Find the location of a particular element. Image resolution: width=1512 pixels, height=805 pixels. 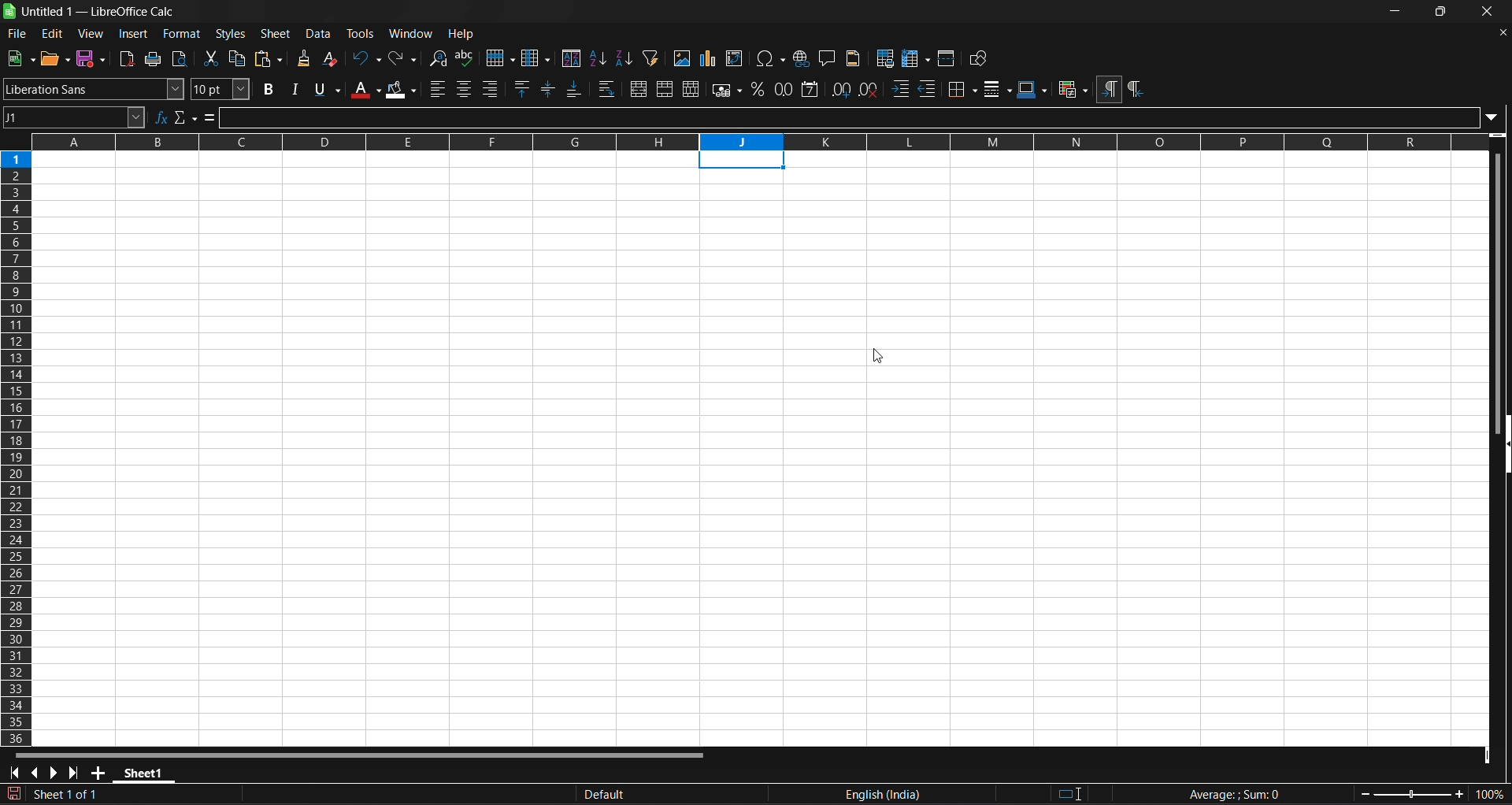

italic is located at coordinates (295, 90).